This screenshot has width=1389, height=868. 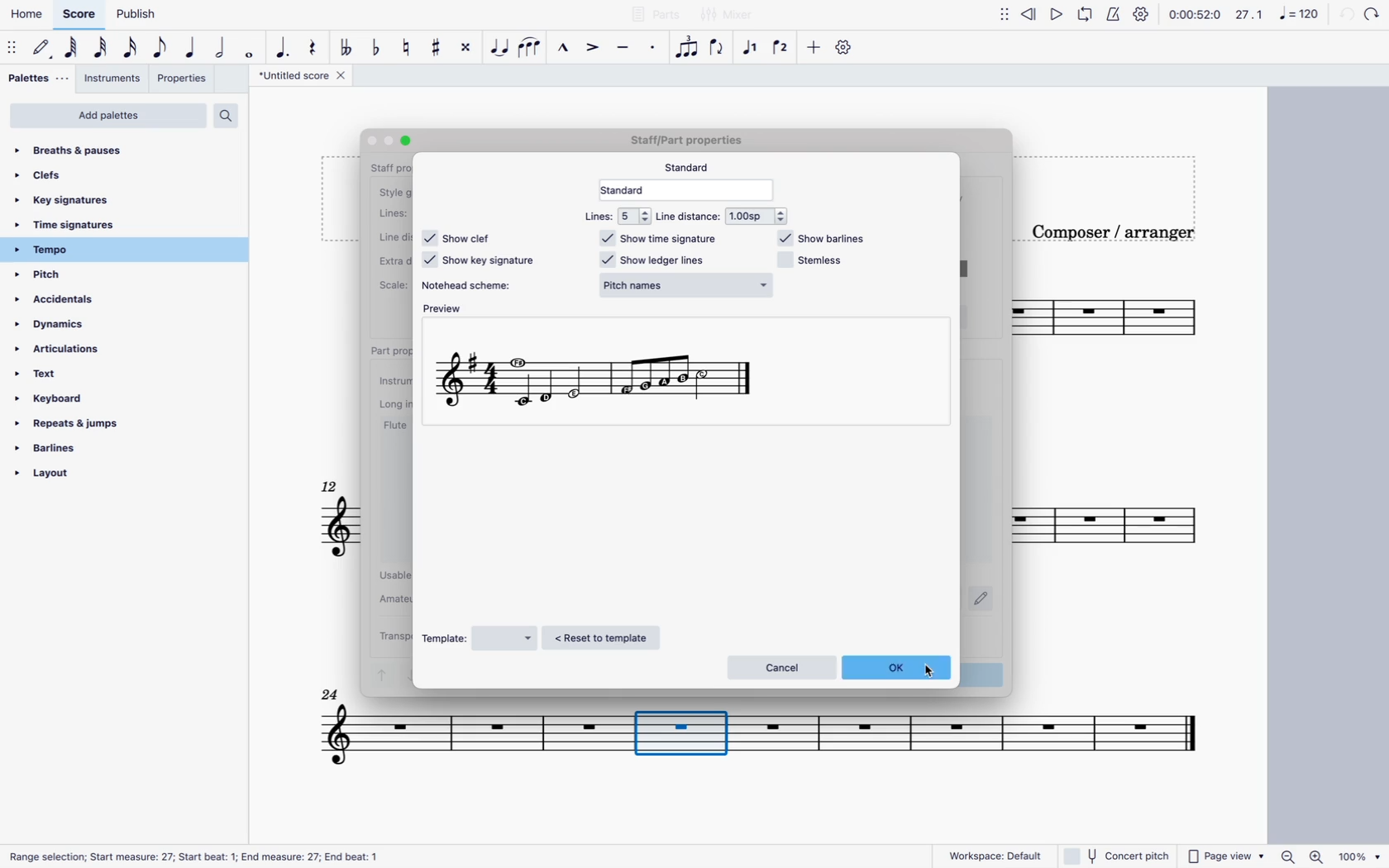 I want to click on accent, so click(x=594, y=47).